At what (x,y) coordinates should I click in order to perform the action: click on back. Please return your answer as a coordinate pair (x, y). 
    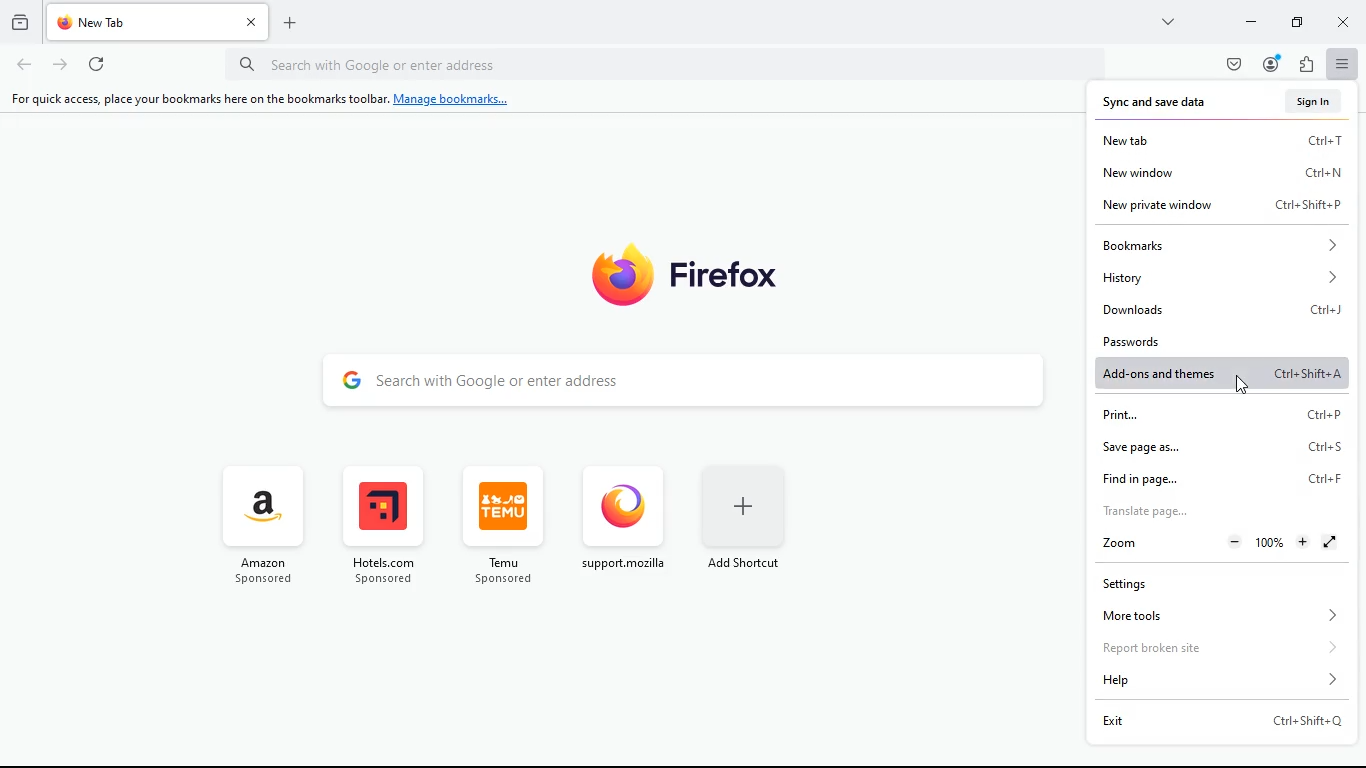
    Looking at the image, I should click on (19, 66).